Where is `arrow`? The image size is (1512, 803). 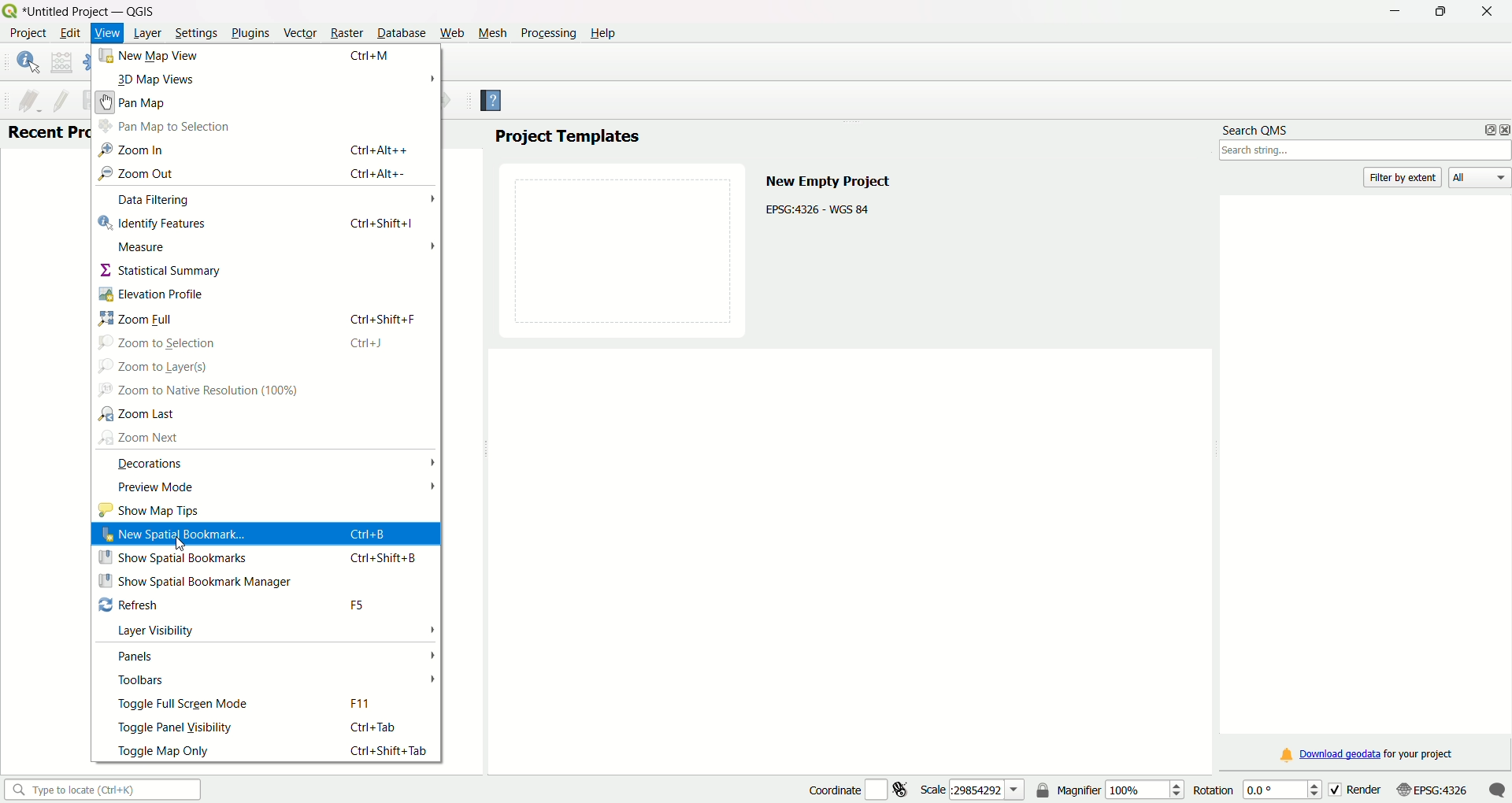
arrow is located at coordinates (429, 628).